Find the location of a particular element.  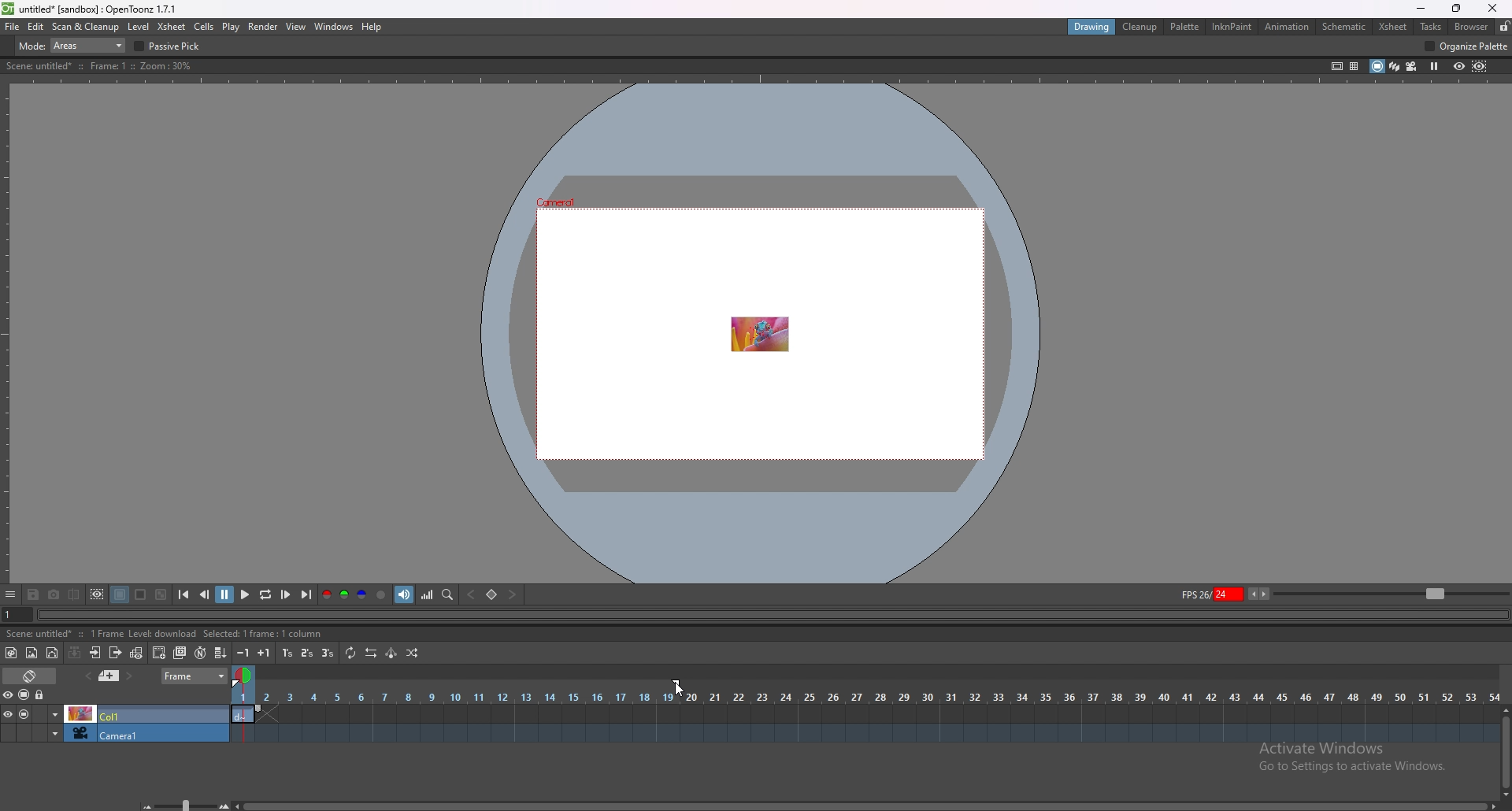

seek is located at coordinates (770, 616).